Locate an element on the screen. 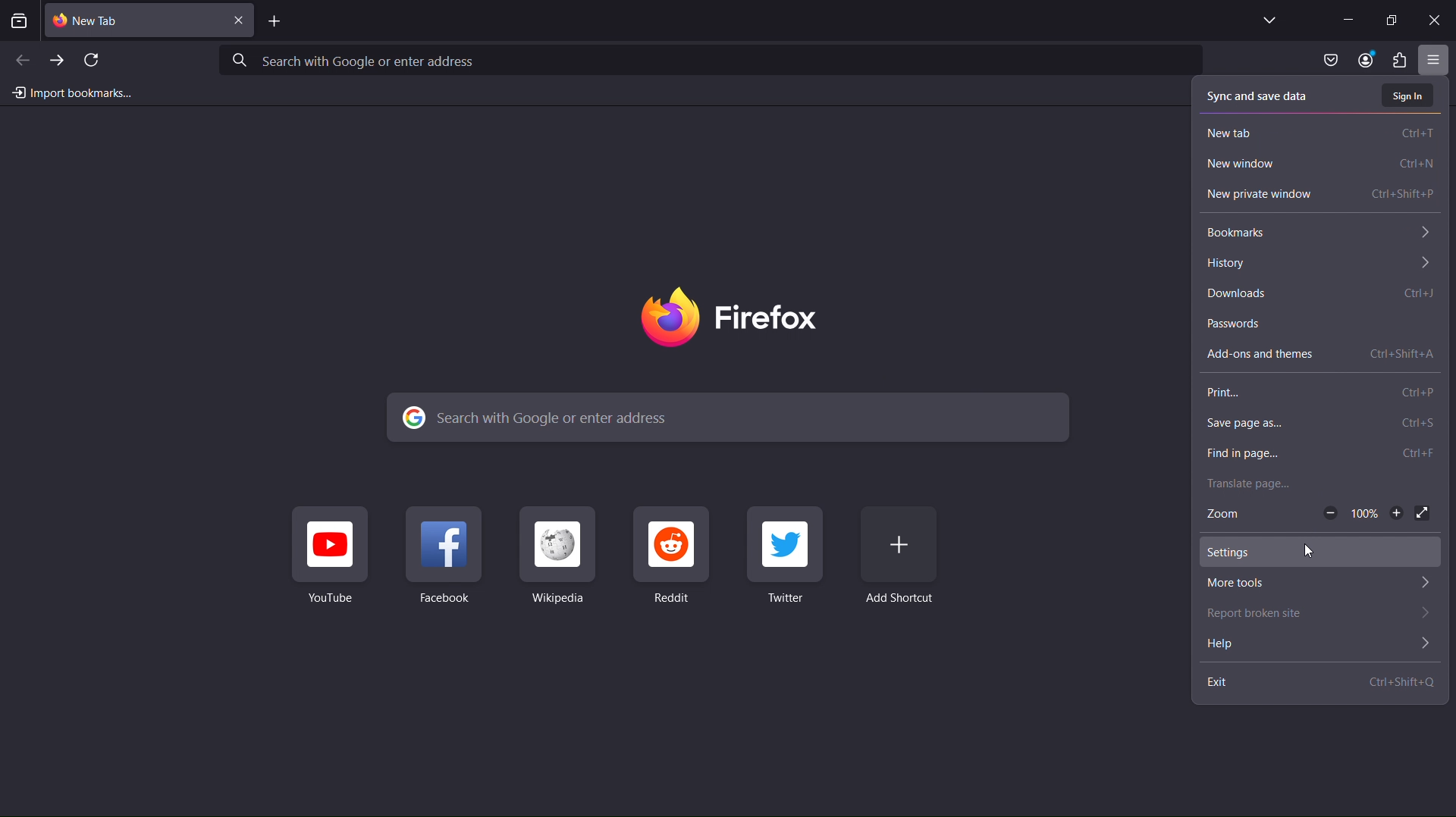  Downloads is located at coordinates (1320, 295).